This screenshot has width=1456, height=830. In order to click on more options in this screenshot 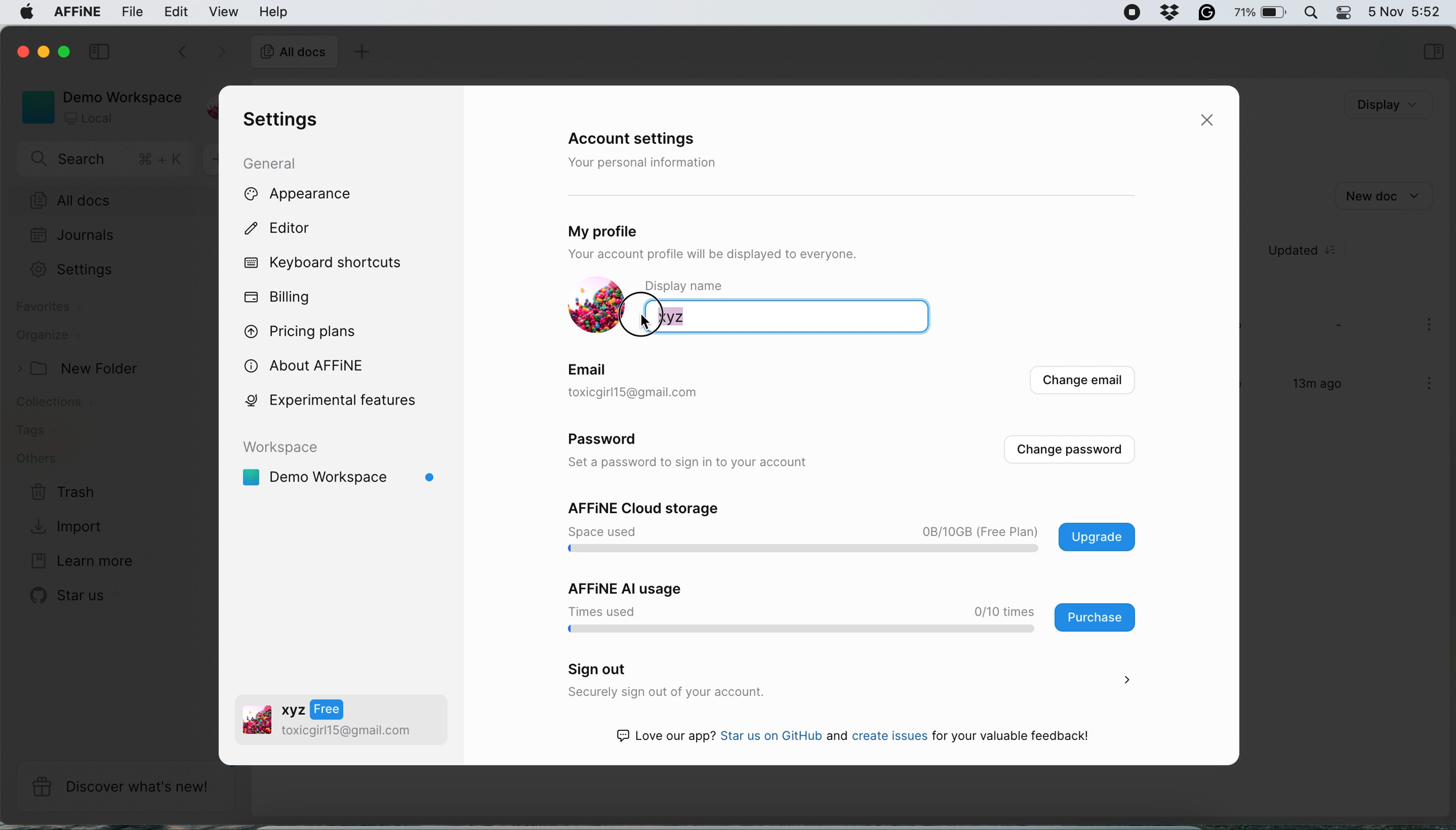, I will do `click(1431, 385)`.